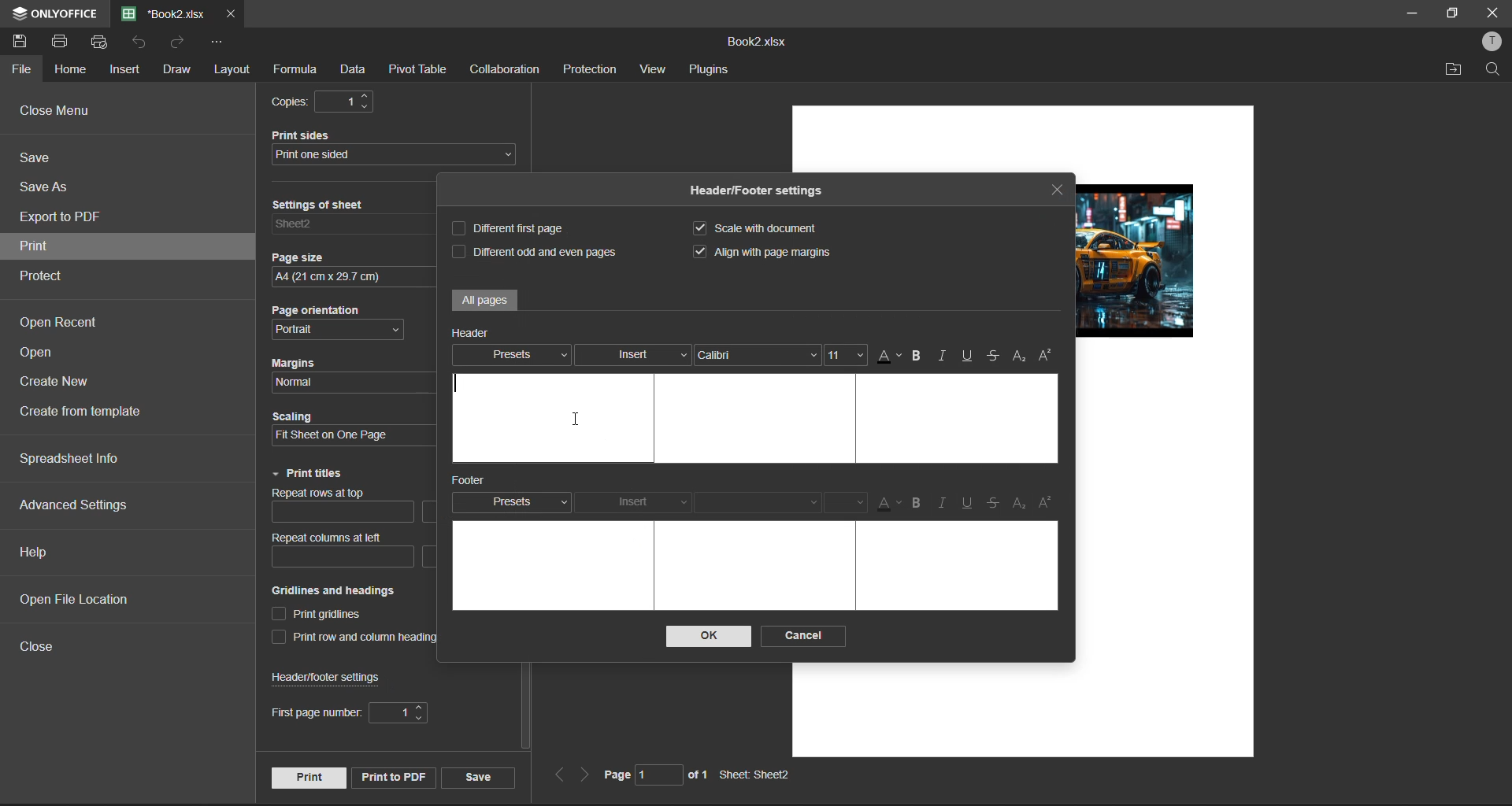 This screenshot has width=1512, height=806. What do you see at coordinates (235, 70) in the screenshot?
I see `layout` at bounding box center [235, 70].